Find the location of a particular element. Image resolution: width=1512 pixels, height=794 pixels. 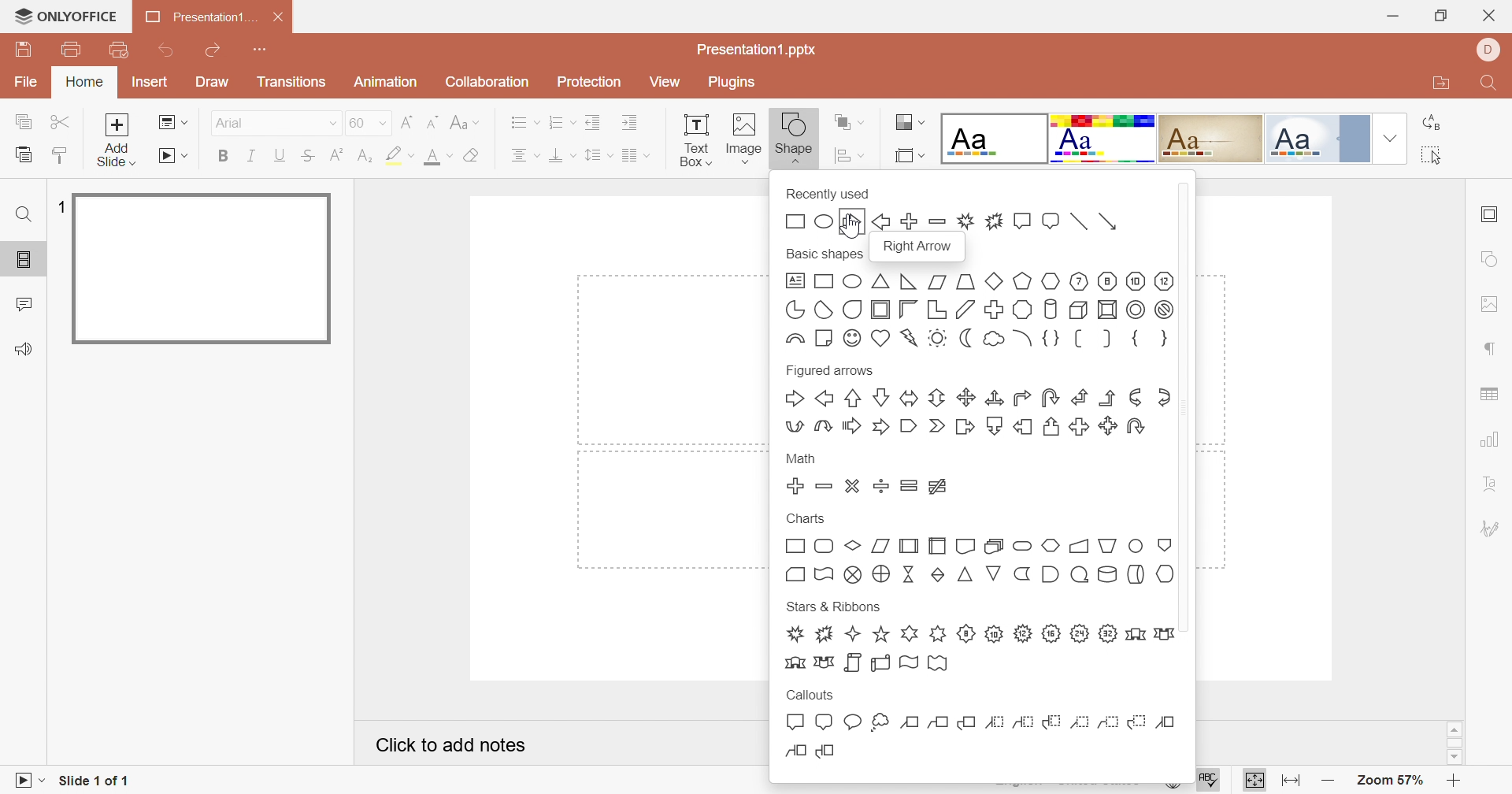

Shape is located at coordinates (793, 139).